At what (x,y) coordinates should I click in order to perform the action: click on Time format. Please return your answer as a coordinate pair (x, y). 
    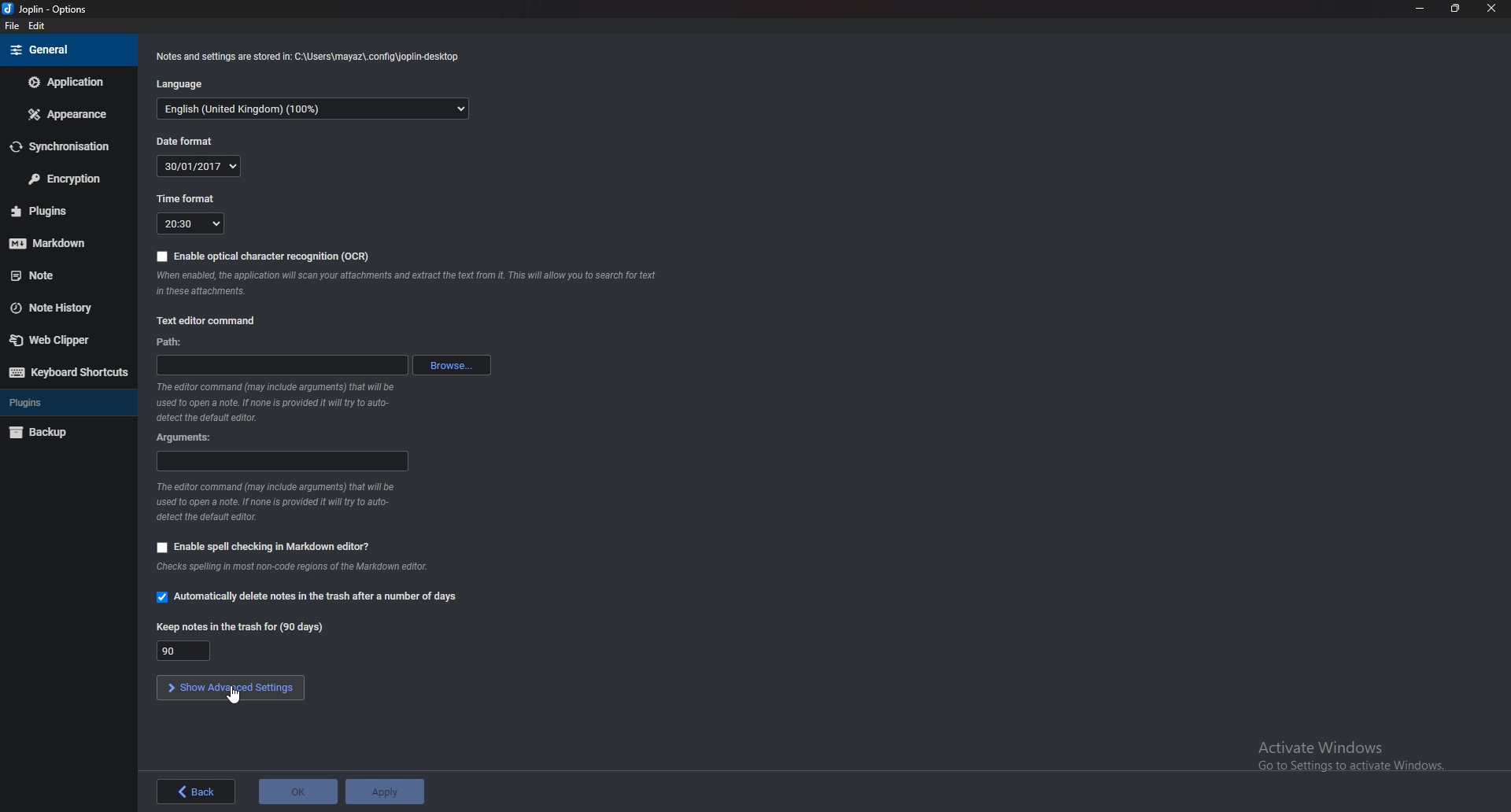
    Looking at the image, I should click on (191, 199).